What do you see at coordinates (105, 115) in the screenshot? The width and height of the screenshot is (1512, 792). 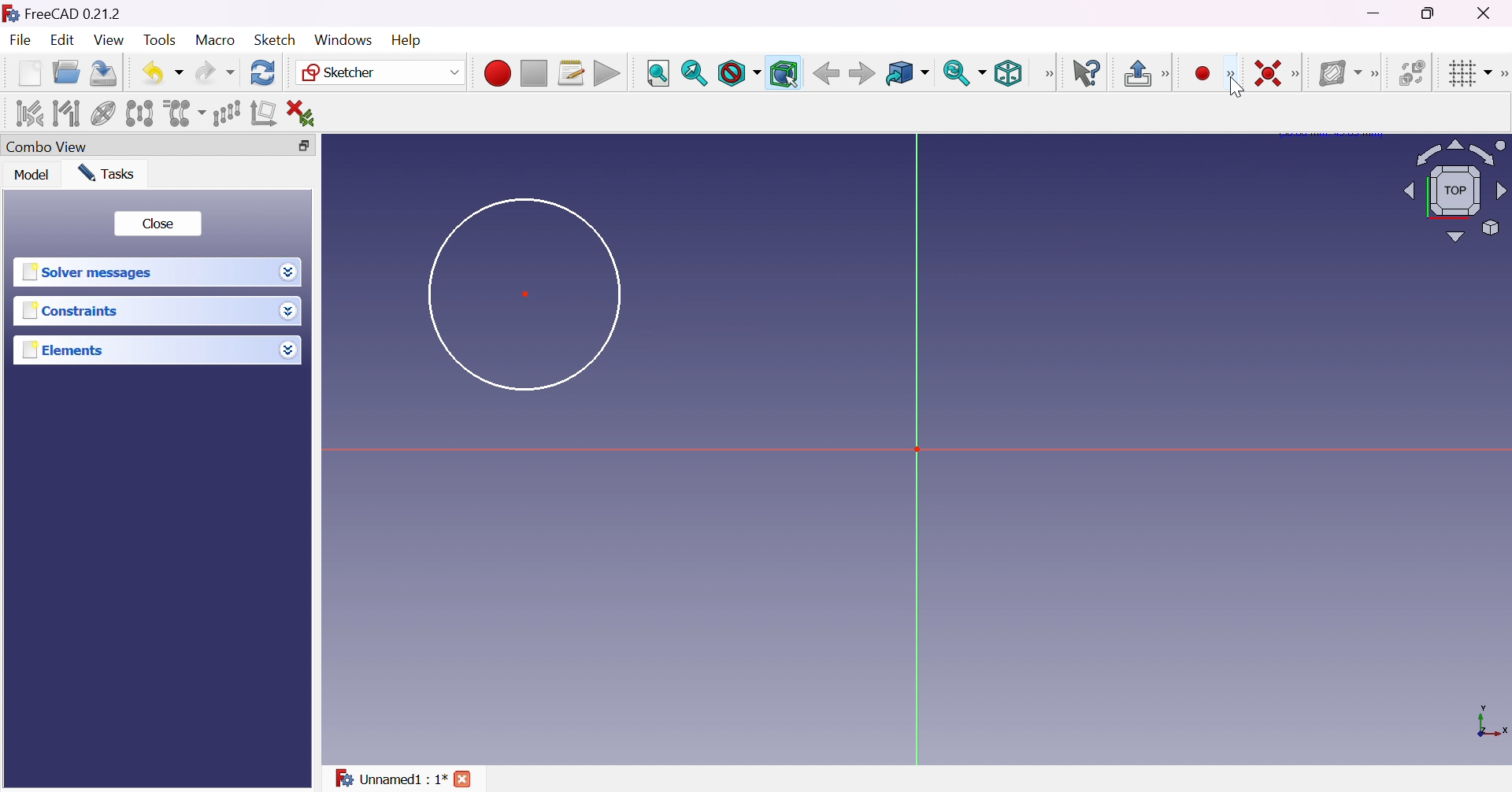 I see `Show/hide internal geometry` at bounding box center [105, 115].